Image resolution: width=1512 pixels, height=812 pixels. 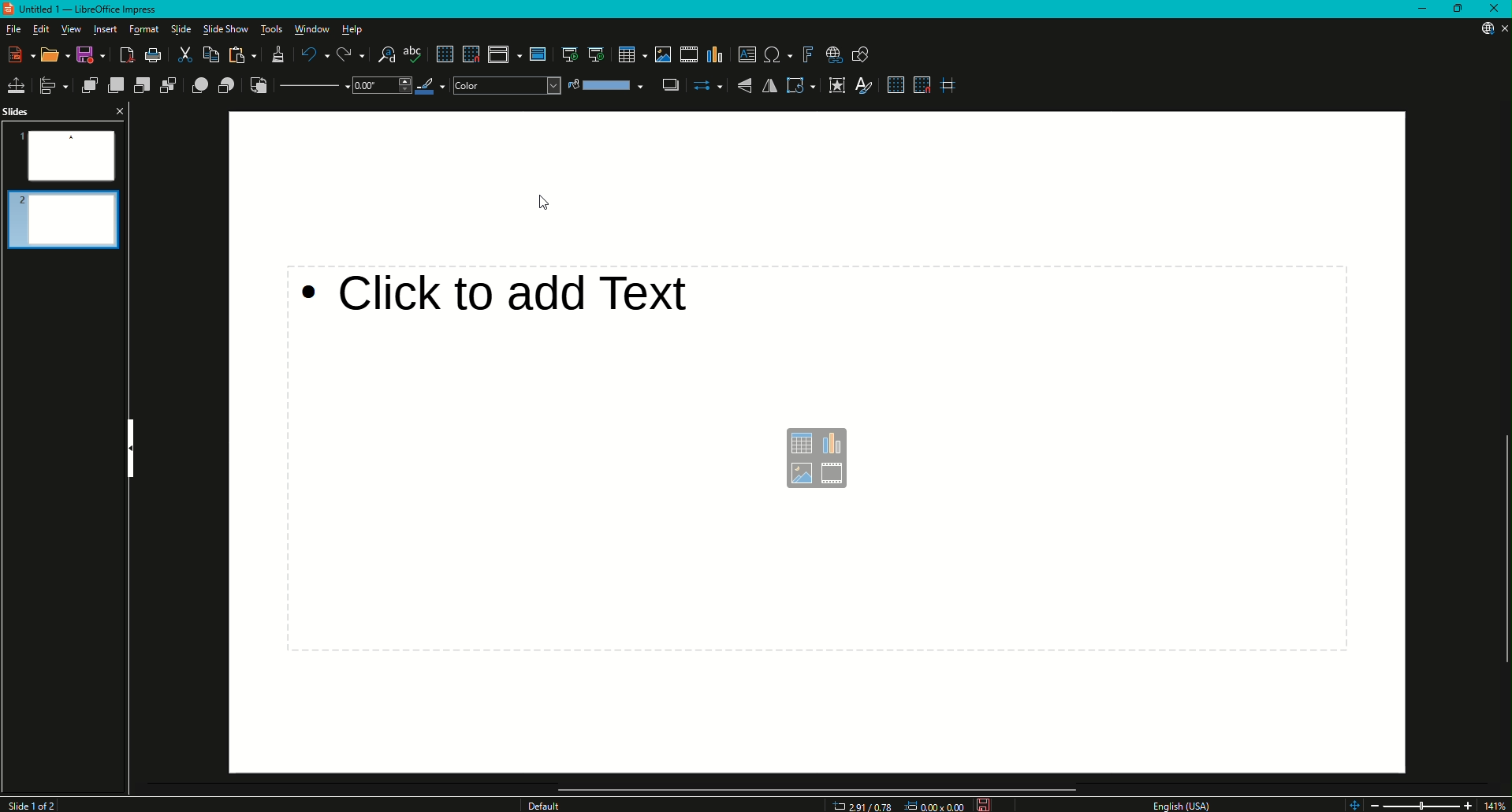 What do you see at coordinates (356, 28) in the screenshot?
I see `Help` at bounding box center [356, 28].